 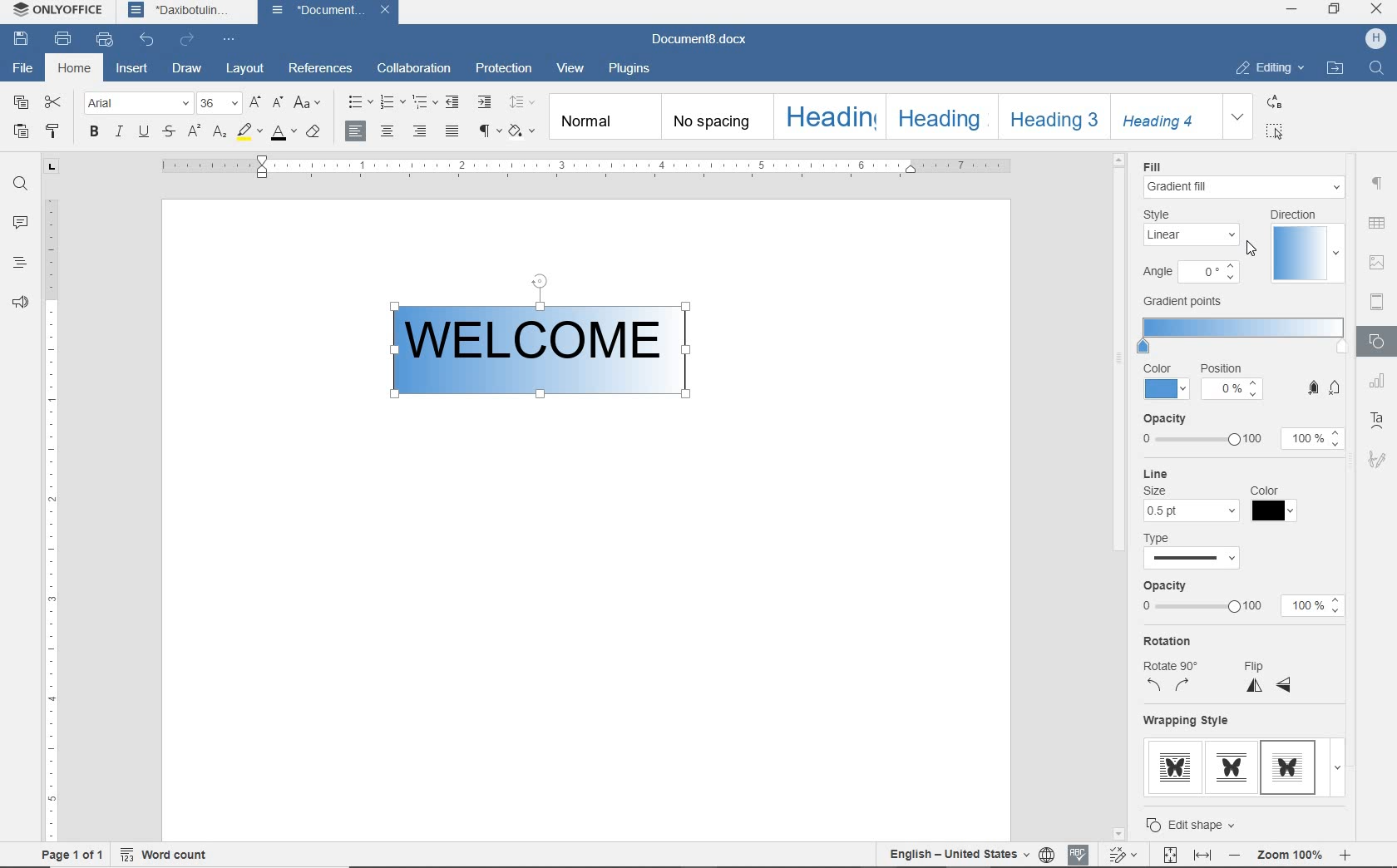 What do you see at coordinates (1193, 559) in the screenshot?
I see `line type` at bounding box center [1193, 559].